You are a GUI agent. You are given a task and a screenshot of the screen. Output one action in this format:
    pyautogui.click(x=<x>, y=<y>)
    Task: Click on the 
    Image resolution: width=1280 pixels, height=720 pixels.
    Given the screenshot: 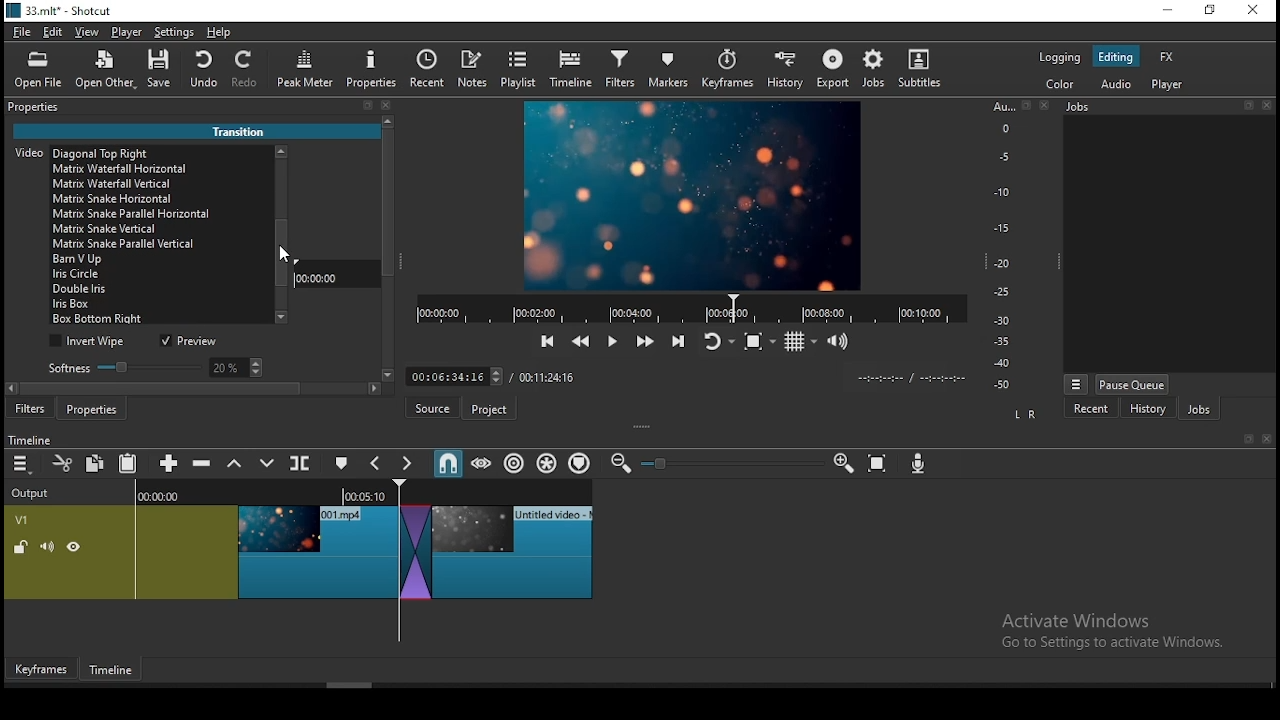 What is the action you would take?
    pyautogui.click(x=662, y=464)
    